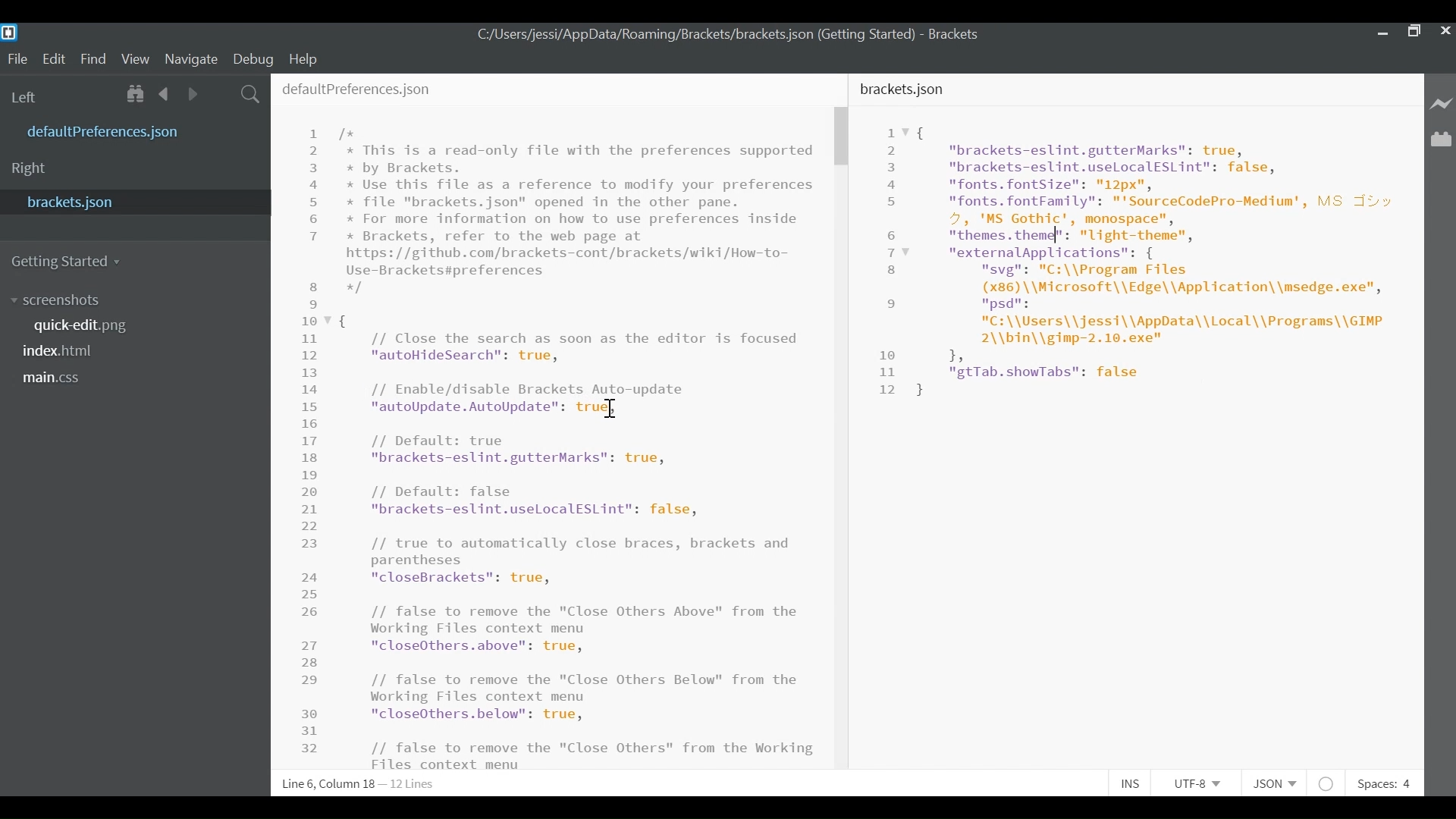 This screenshot has height=819, width=1456. What do you see at coordinates (58, 301) in the screenshot?
I see `Screenshot` at bounding box center [58, 301].